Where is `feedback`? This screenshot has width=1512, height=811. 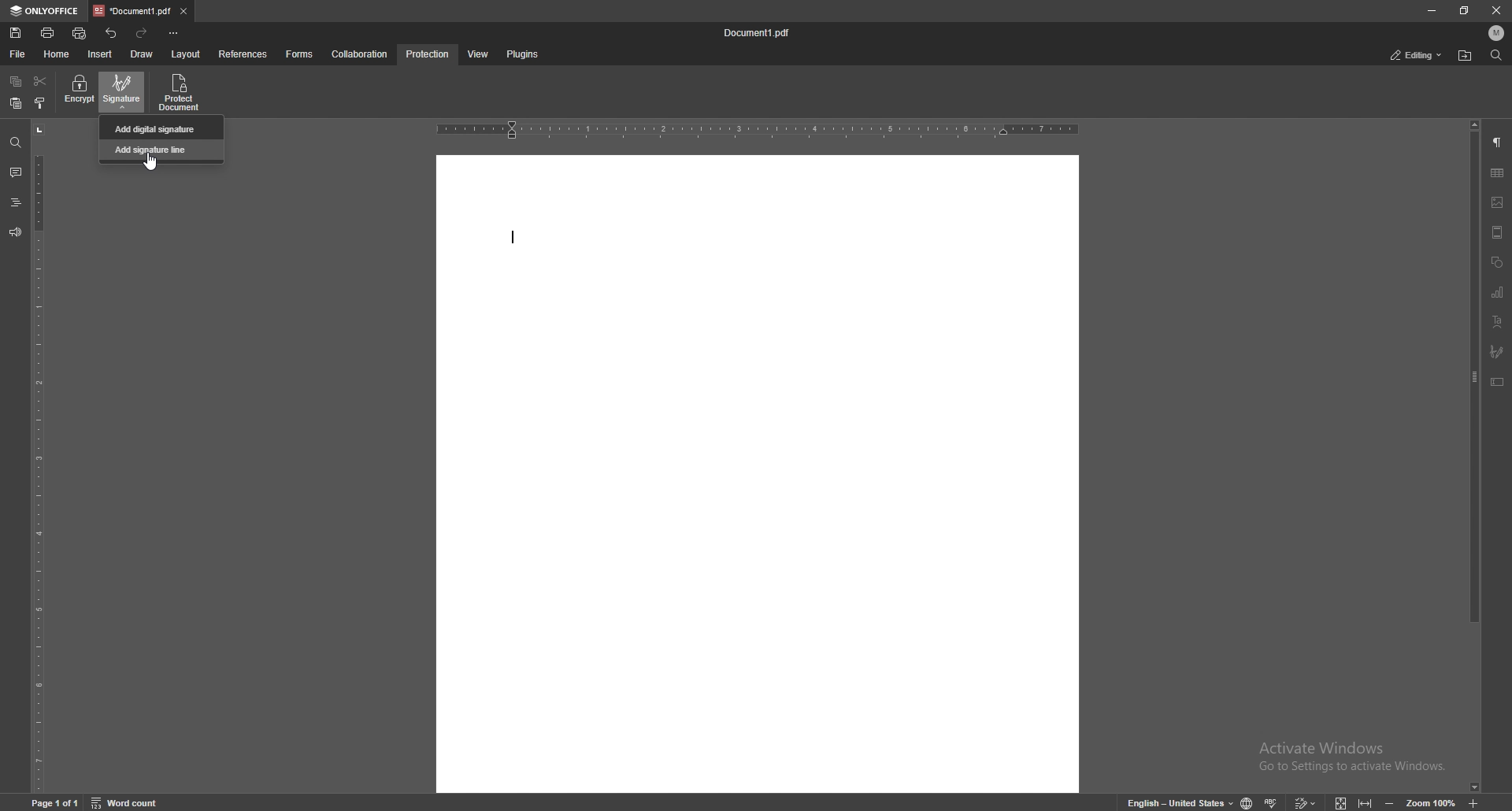 feedback is located at coordinates (14, 232).